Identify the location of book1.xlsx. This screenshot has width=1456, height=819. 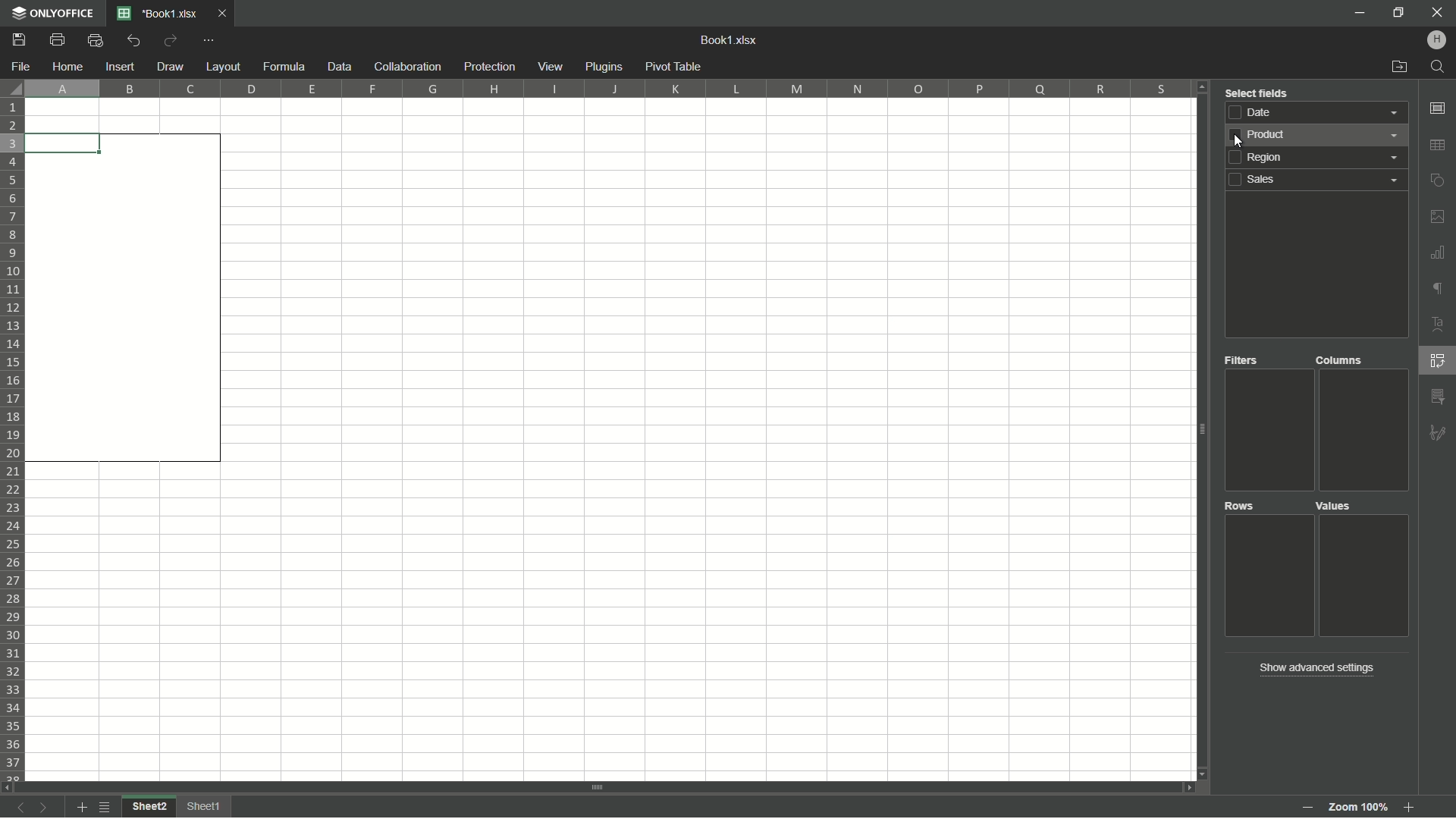
(731, 40).